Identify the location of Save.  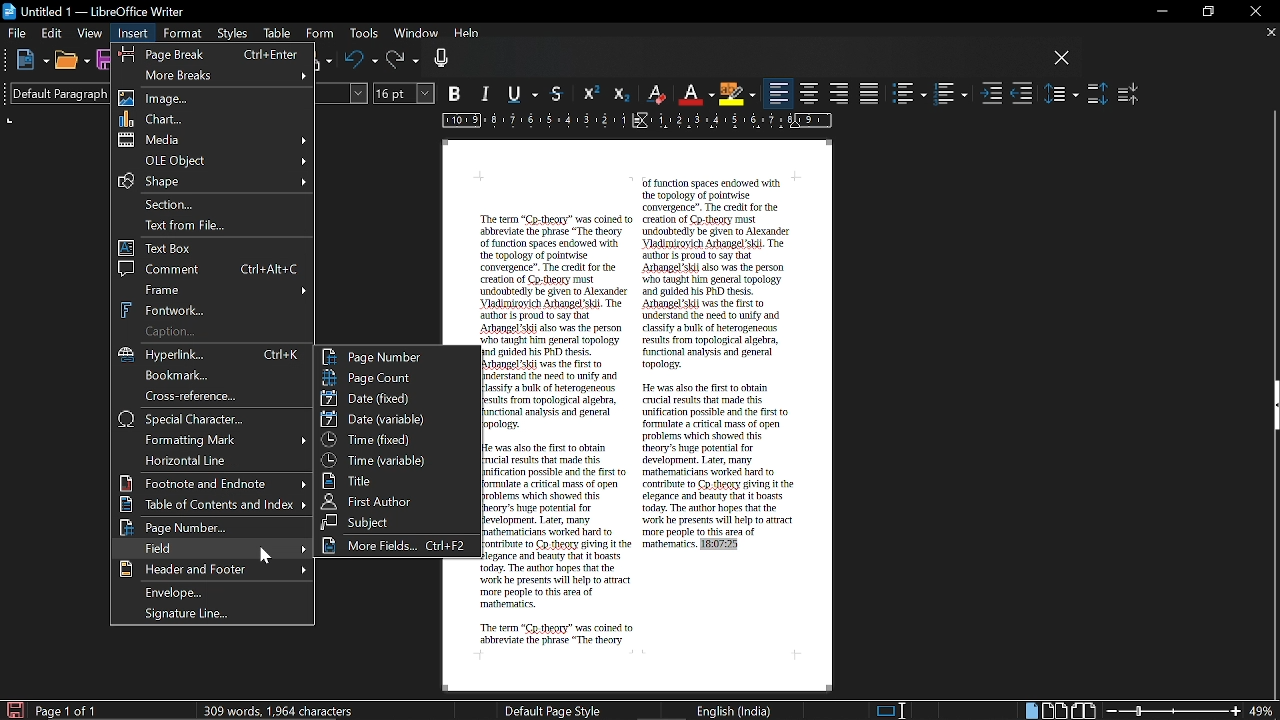
(13, 709).